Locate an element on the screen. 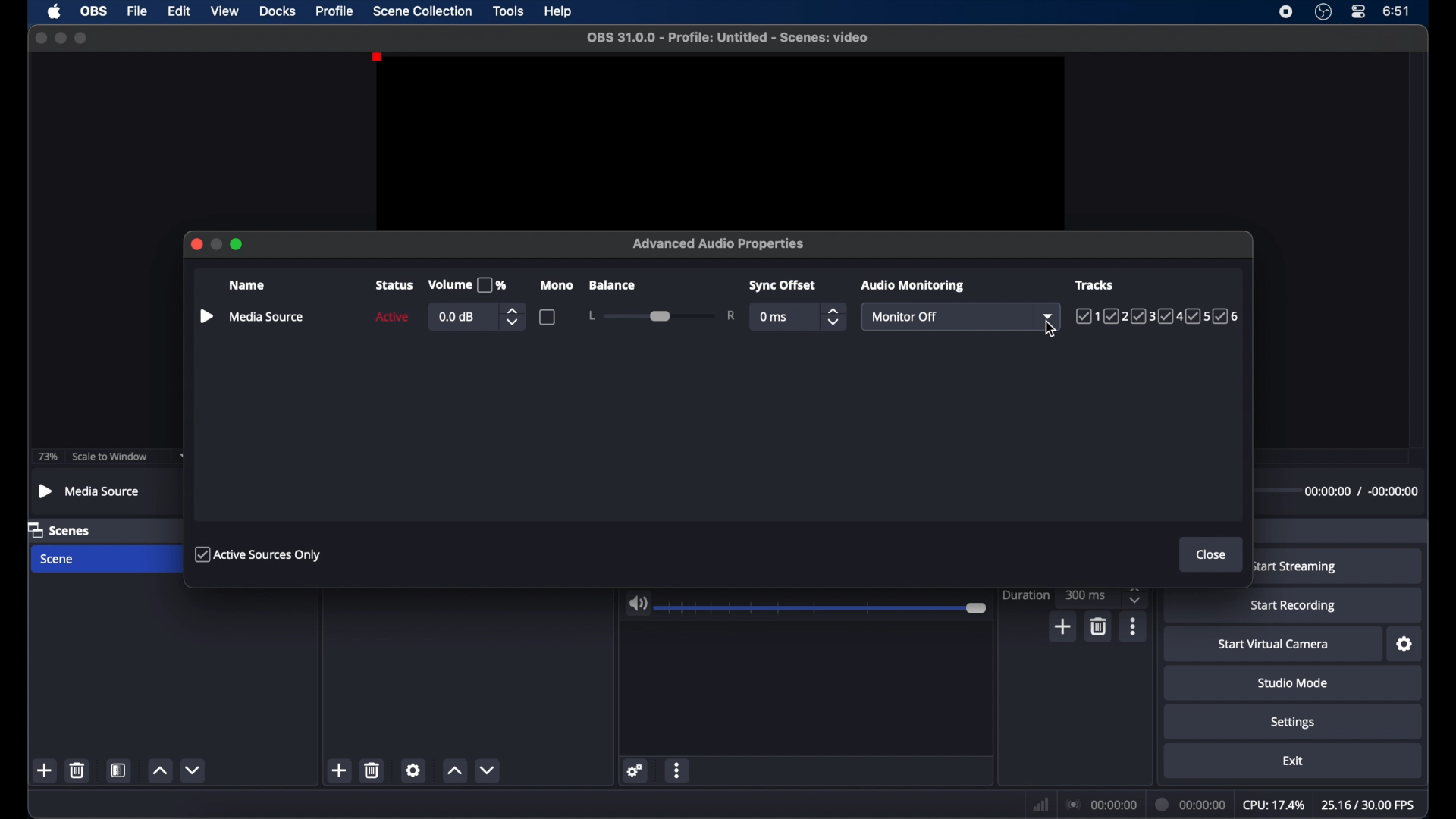 The height and width of the screenshot is (819, 1456). close is located at coordinates (40, 37).